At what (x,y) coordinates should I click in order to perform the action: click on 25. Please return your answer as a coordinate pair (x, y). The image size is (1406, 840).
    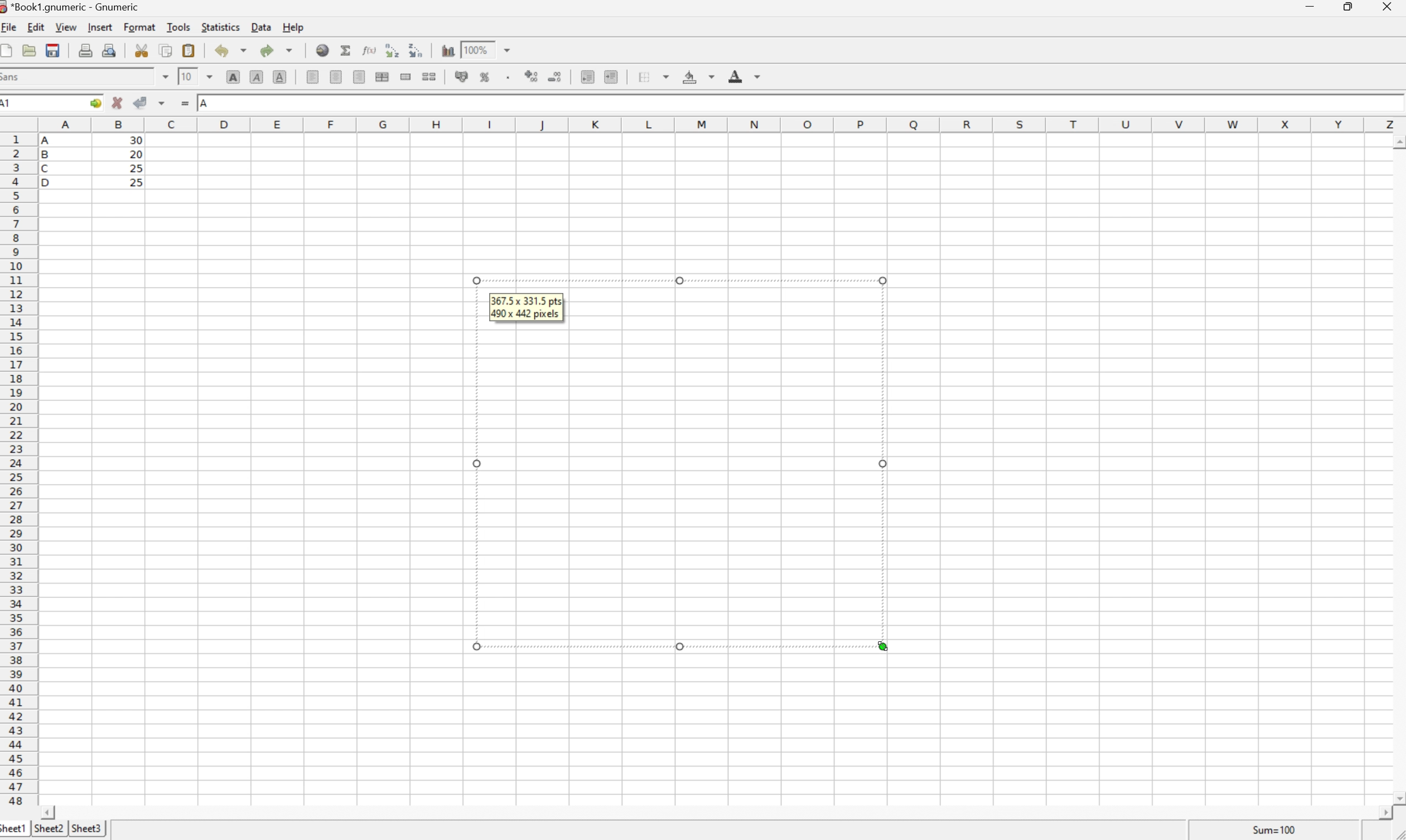
    Looking at the image, I should click on (135, 168).